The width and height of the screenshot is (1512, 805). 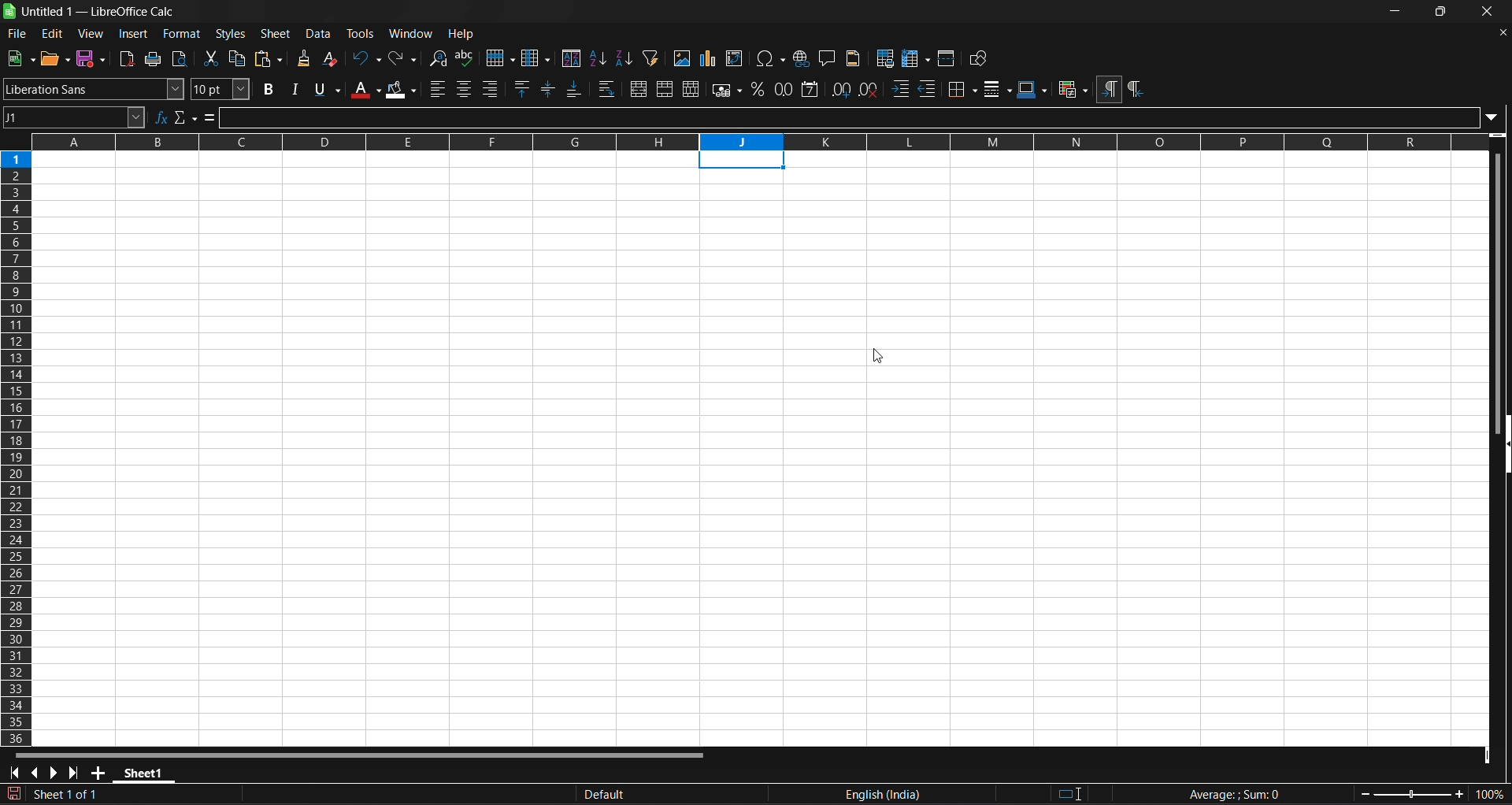 I want to click on input line, so click(x=858, y=117).